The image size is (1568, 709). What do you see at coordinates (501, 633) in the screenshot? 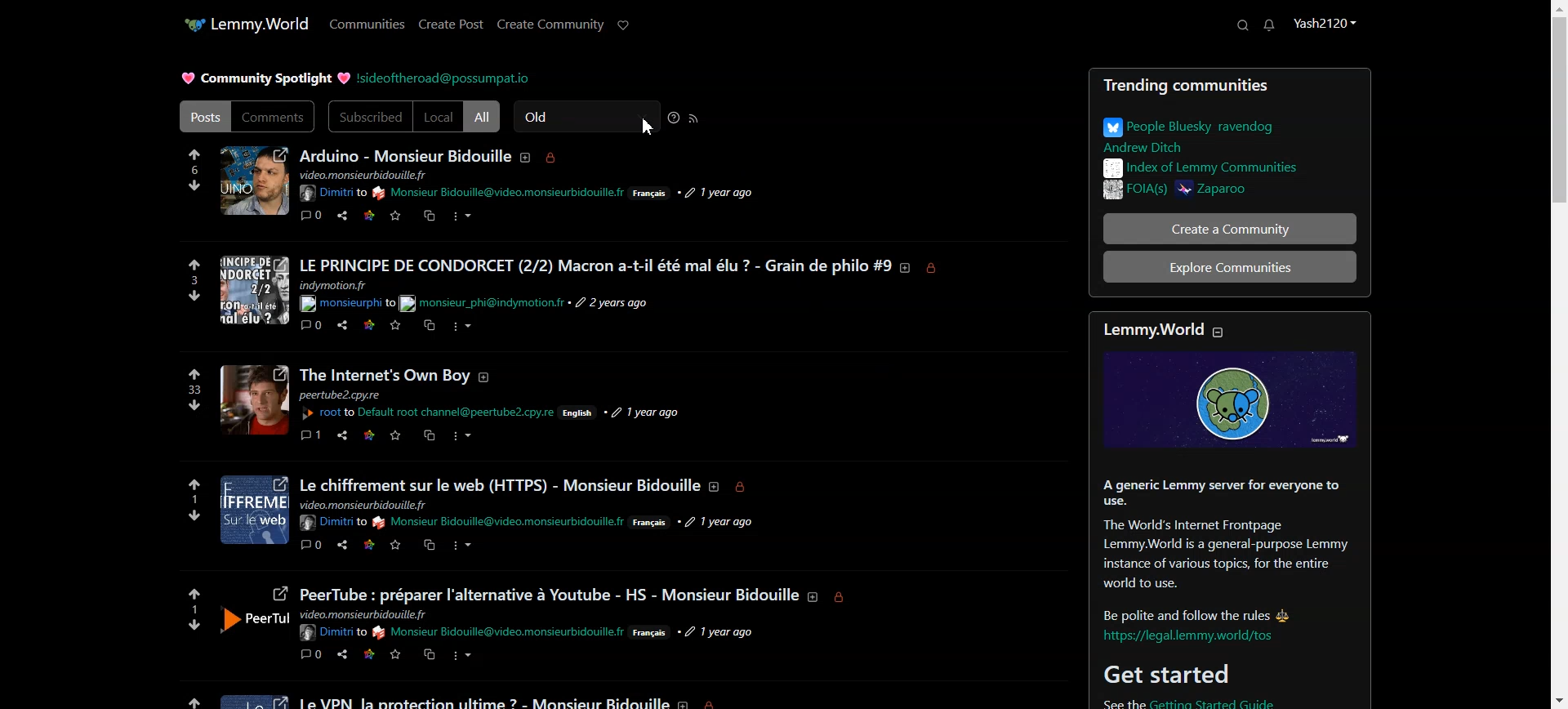
I see `text` at bounding box center [501, 633].